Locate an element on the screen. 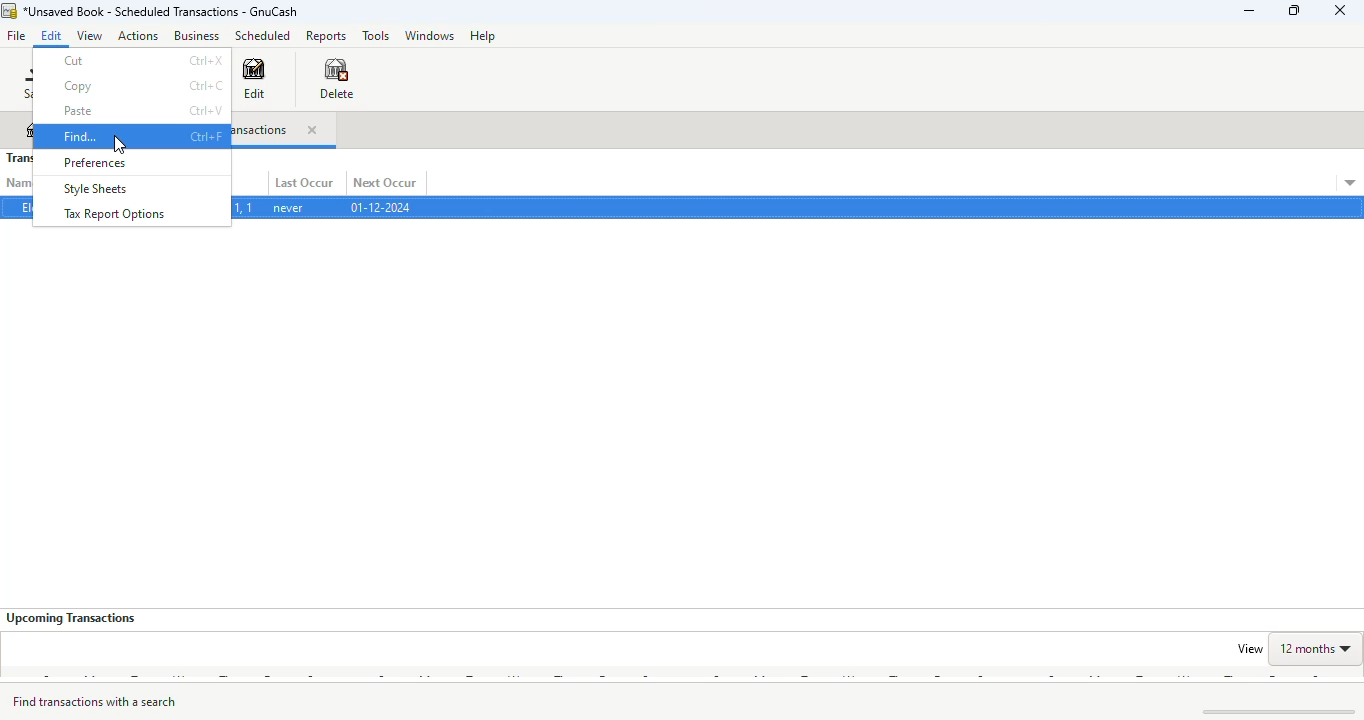 The height and width of the screenshot is (720, 1364). actions is located at coordinates (138, 36).